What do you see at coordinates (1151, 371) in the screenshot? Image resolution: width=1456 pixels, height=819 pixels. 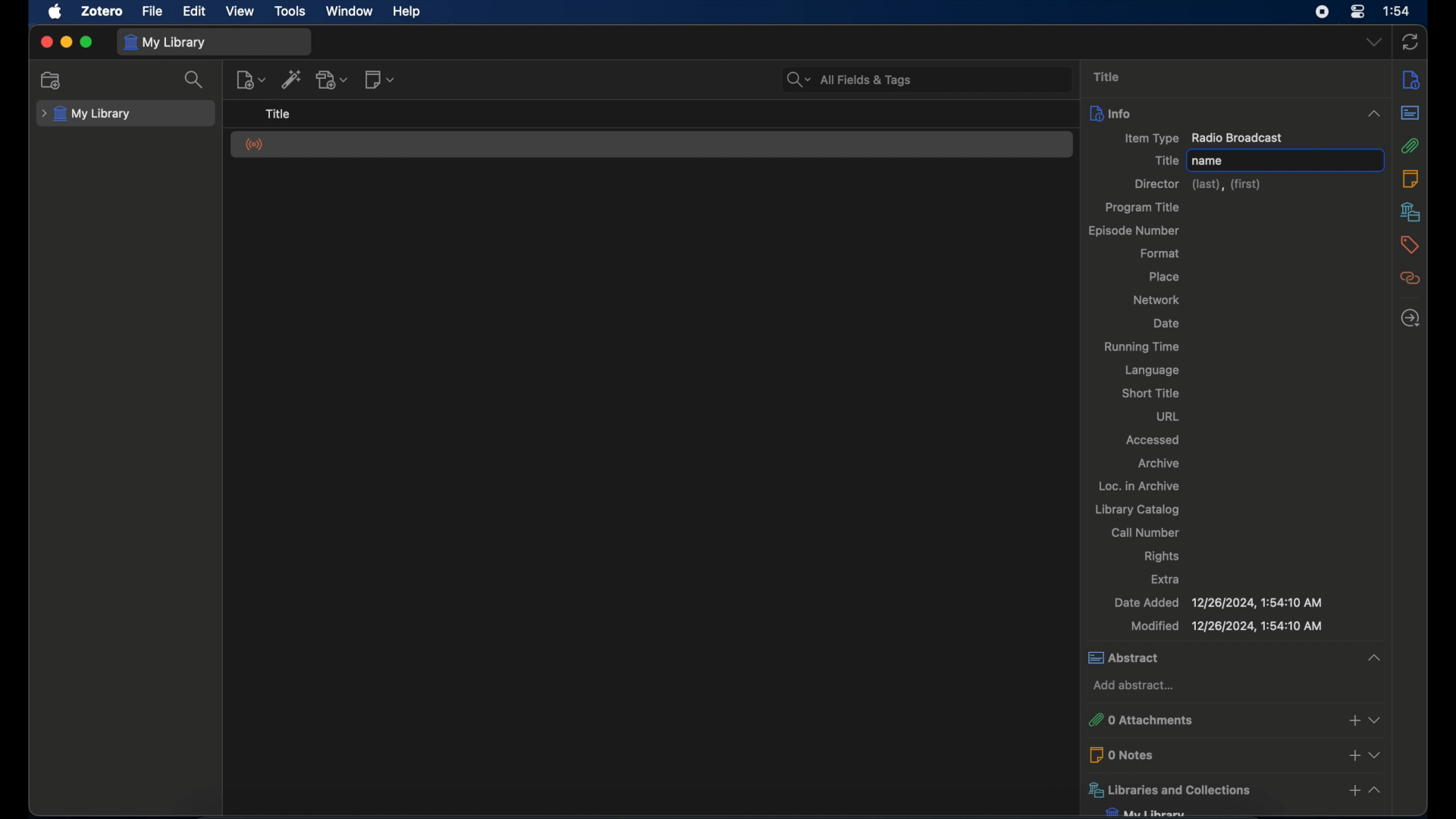 I see `language` at bounding box center [1151, 371].